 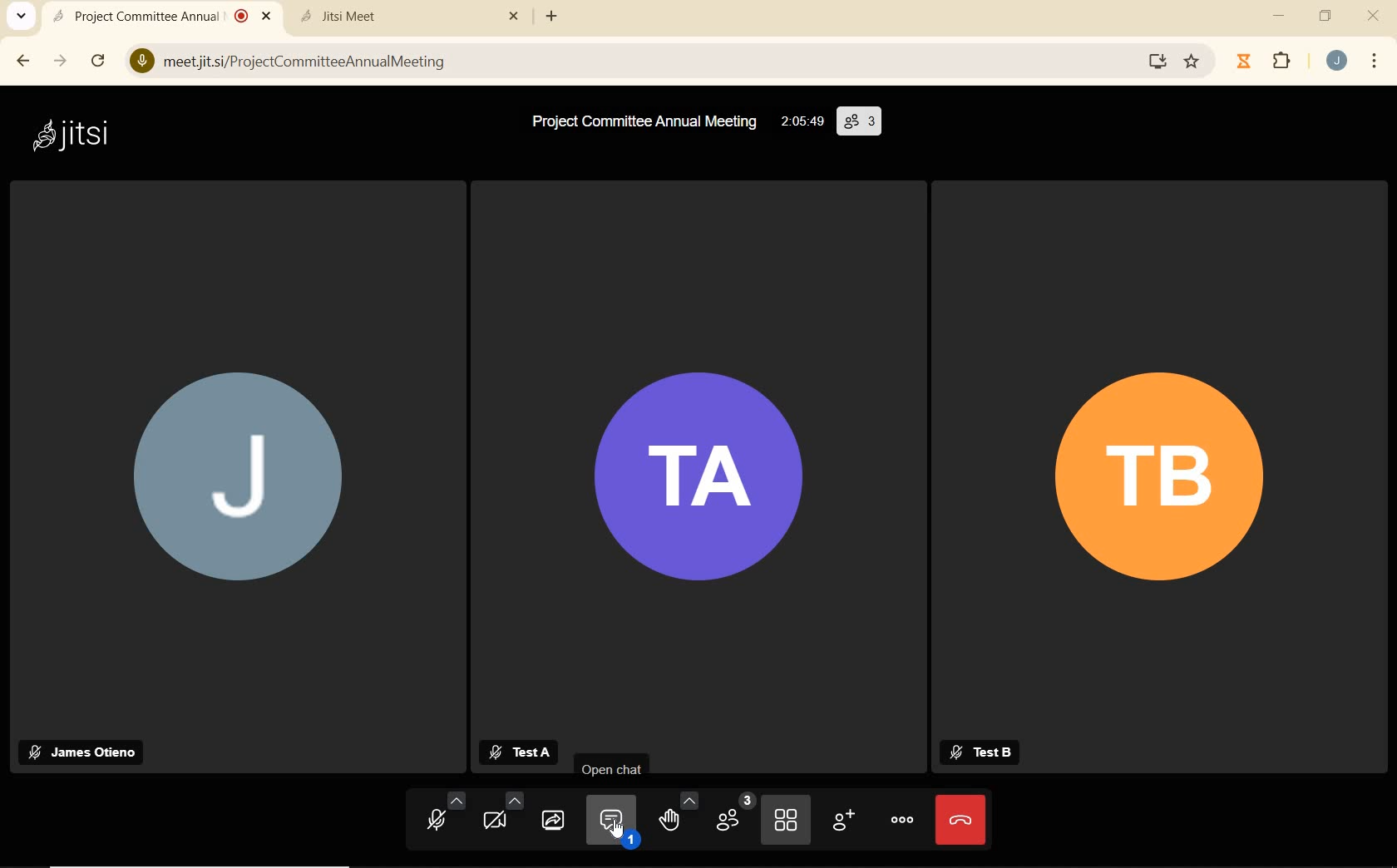 I want to click on Bookmark , so click(x=1198, y=62).